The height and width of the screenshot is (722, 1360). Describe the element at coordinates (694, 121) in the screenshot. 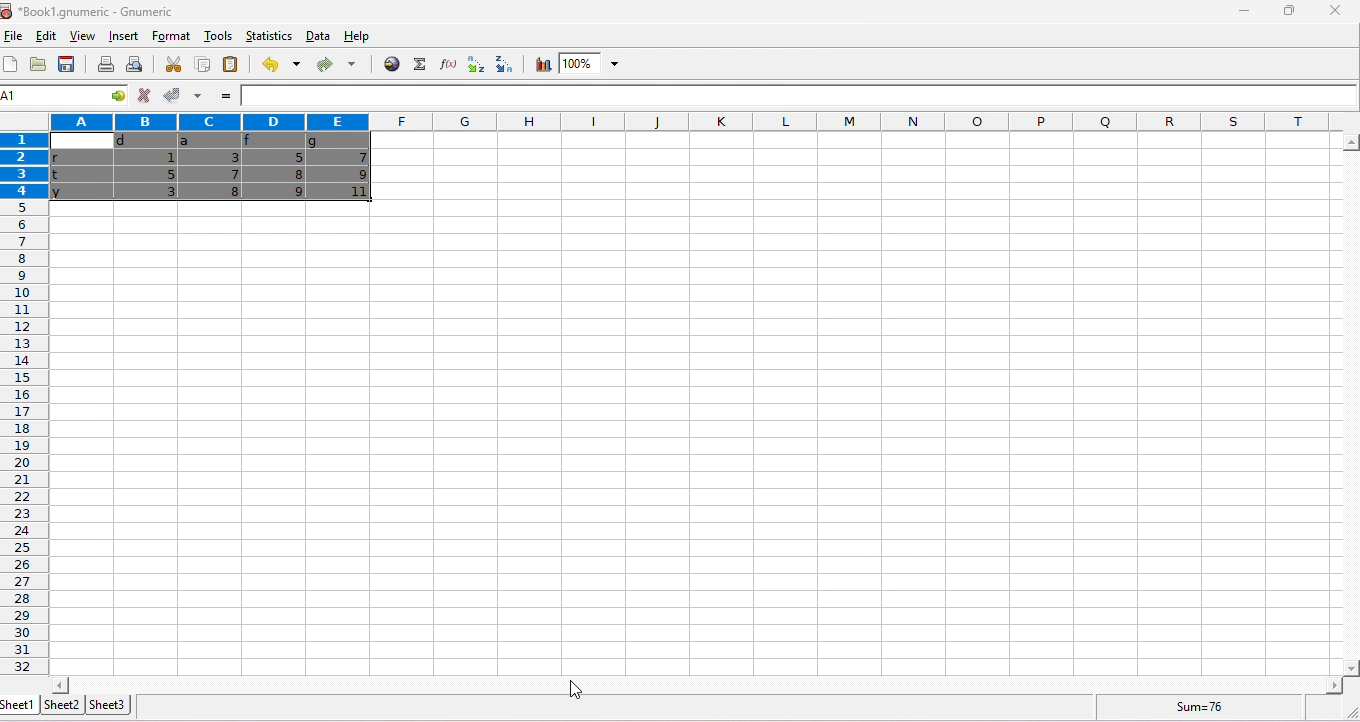

I see `column headings` at that location.